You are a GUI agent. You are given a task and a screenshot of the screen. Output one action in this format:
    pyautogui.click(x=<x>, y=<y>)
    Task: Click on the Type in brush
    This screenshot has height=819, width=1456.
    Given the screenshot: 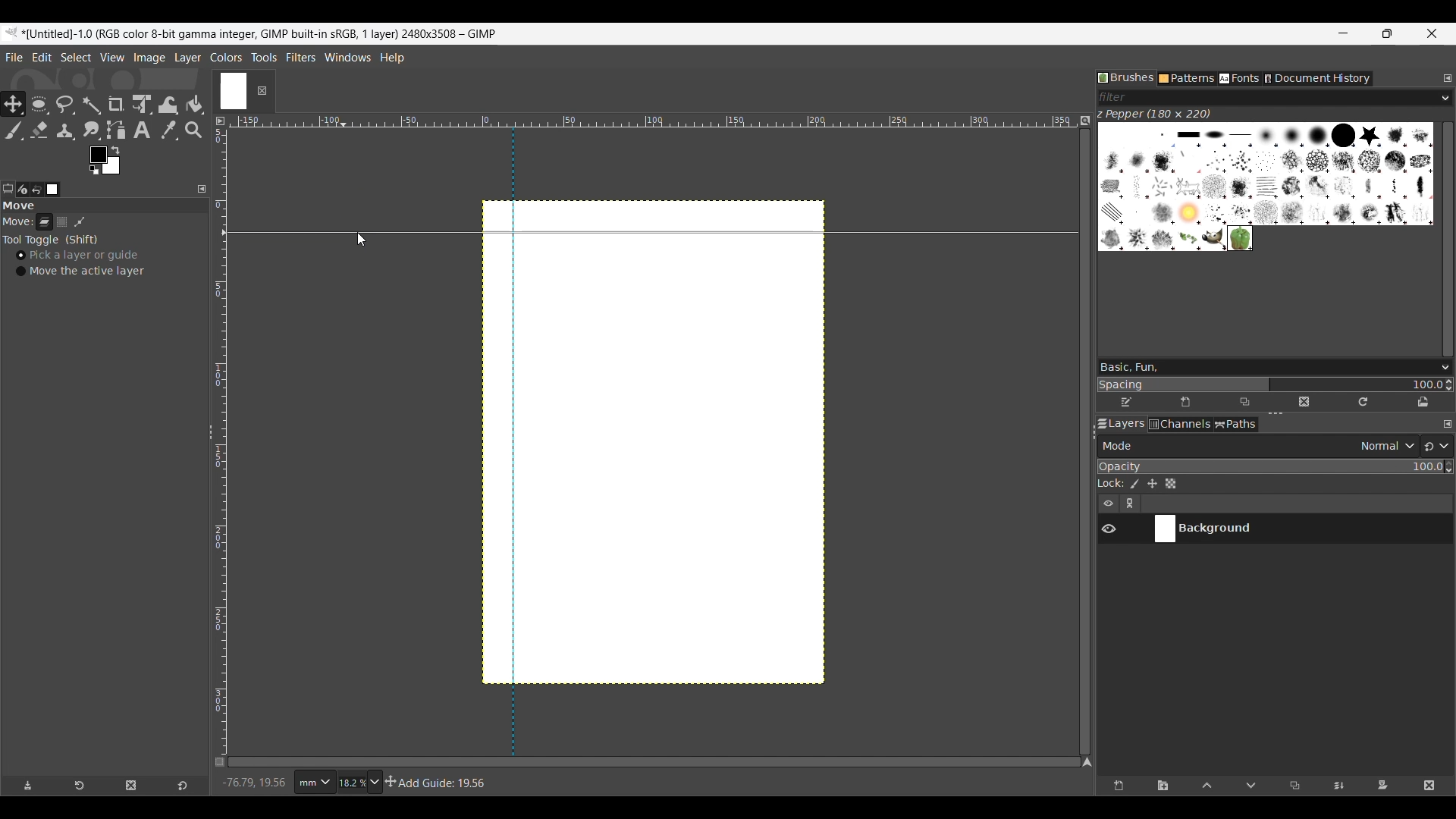 What is the action you would take?
    pyautogui.click(x=1262, y=367)
    